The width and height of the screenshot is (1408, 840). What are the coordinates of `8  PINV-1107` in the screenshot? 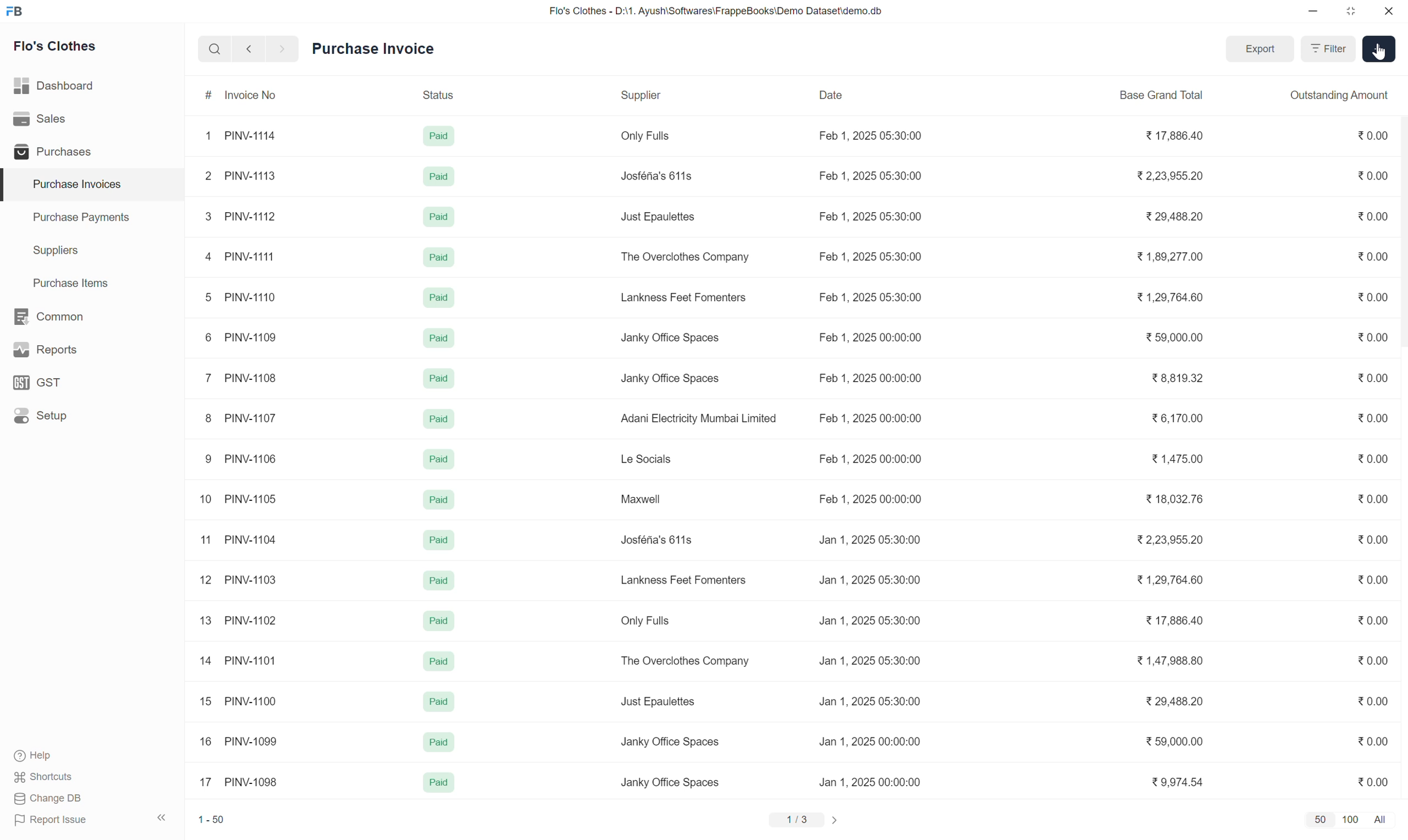 It's located at (241, 418).